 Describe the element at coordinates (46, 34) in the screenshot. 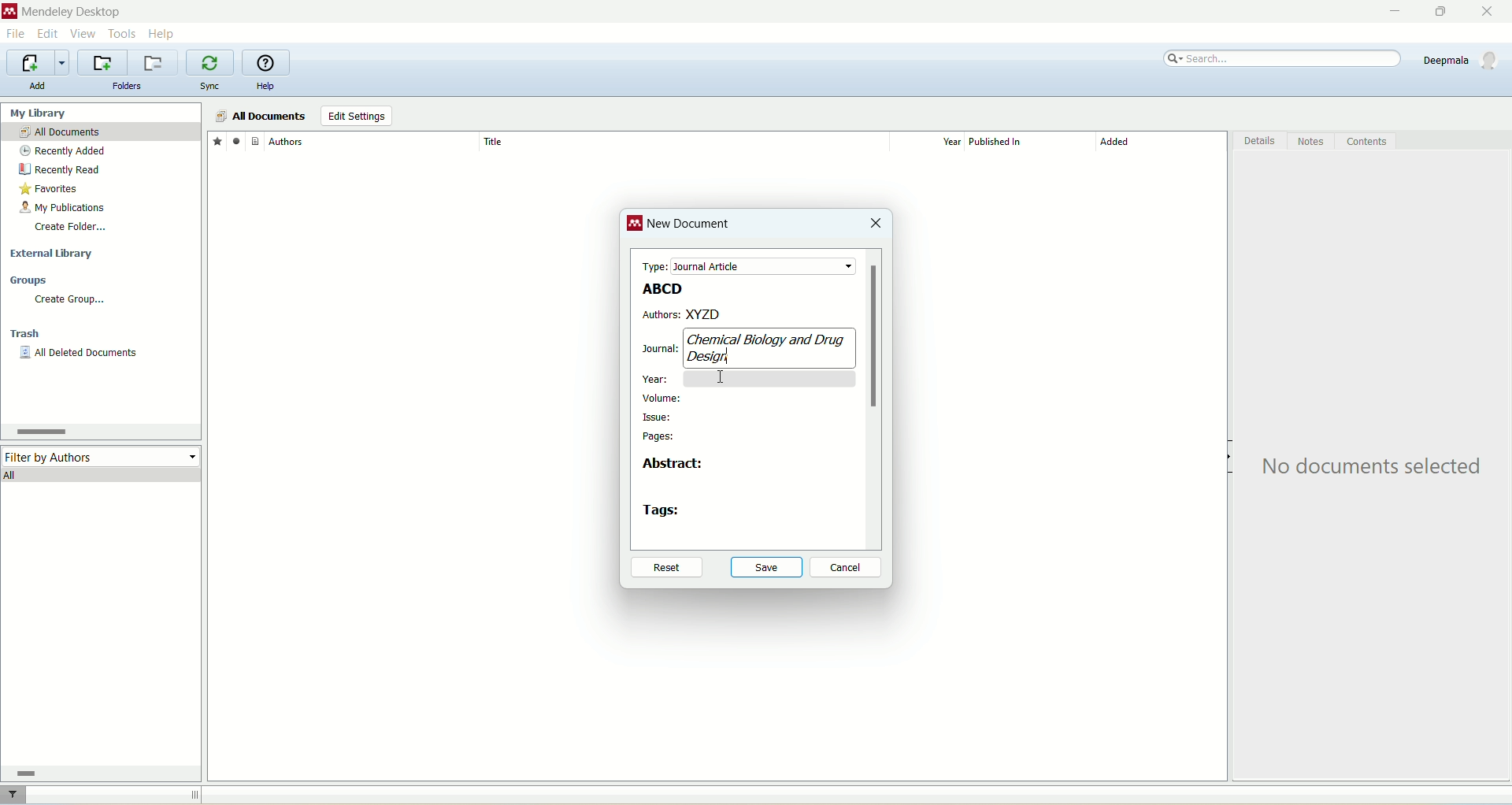

I see `edit` at that location.